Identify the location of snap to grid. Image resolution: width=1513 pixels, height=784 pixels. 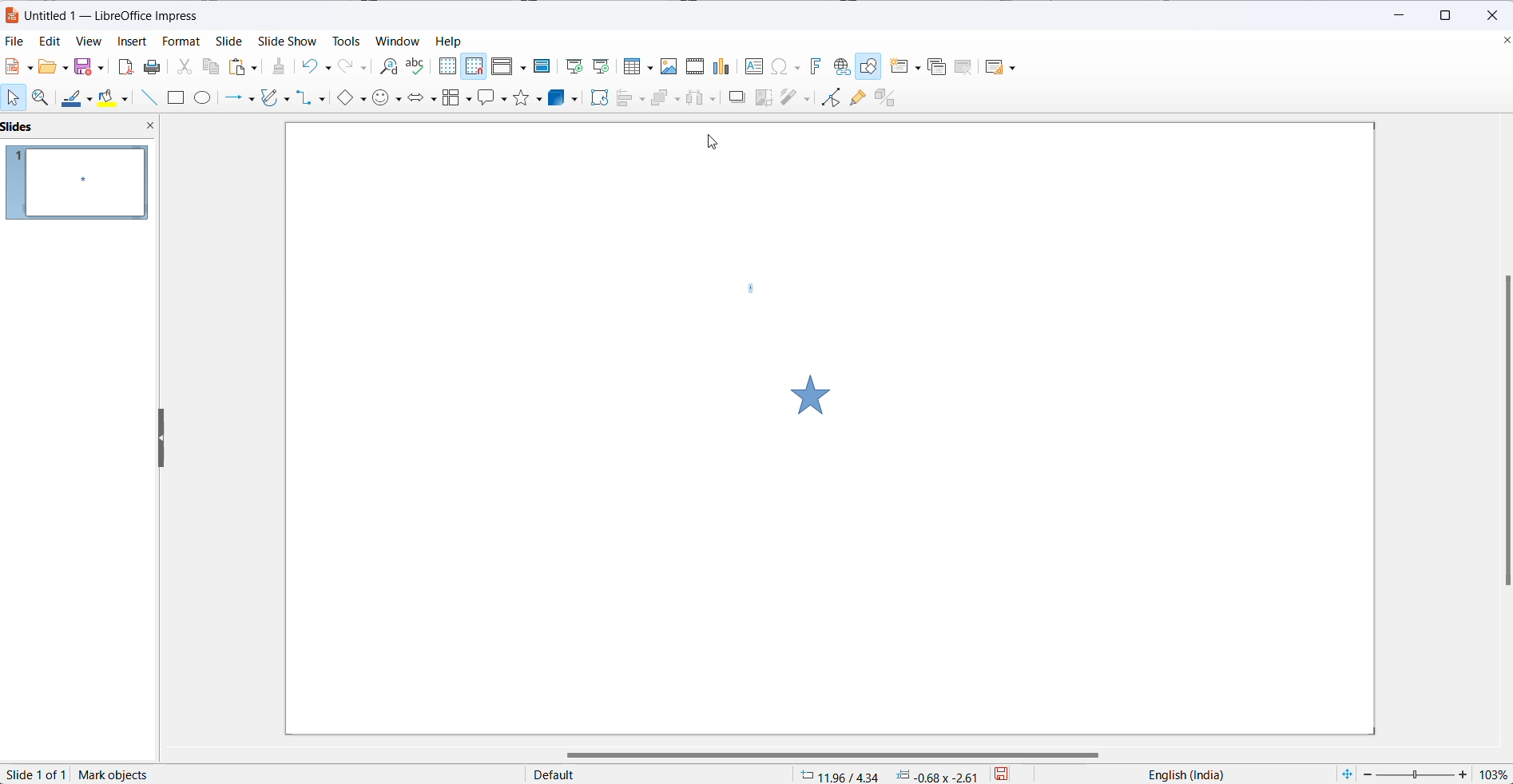
(475, 69).